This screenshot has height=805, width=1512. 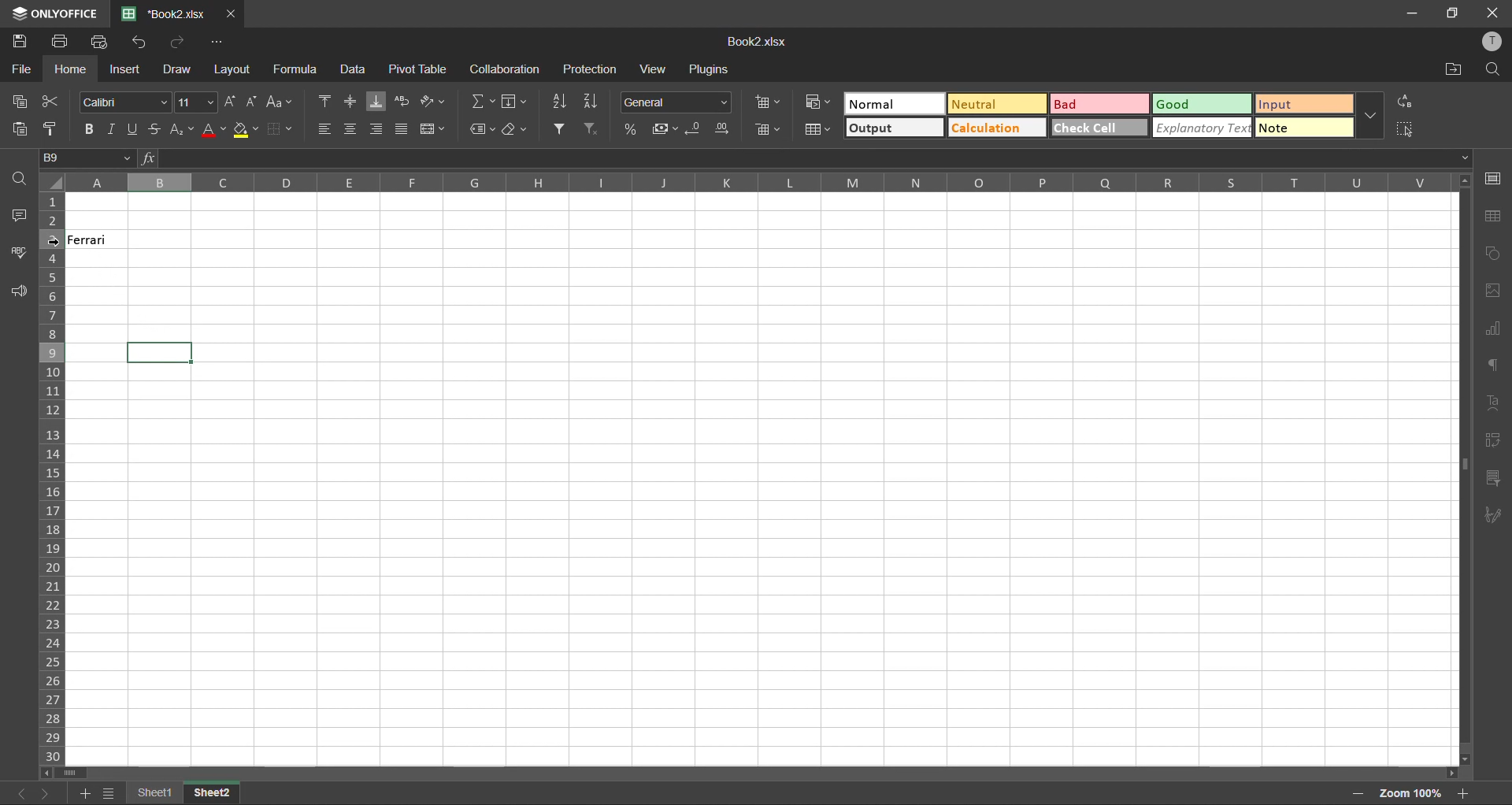 What do you see at coordinates (506, 69) in the screenshot?
I see `collaboration` at bounding box center [506, 69].